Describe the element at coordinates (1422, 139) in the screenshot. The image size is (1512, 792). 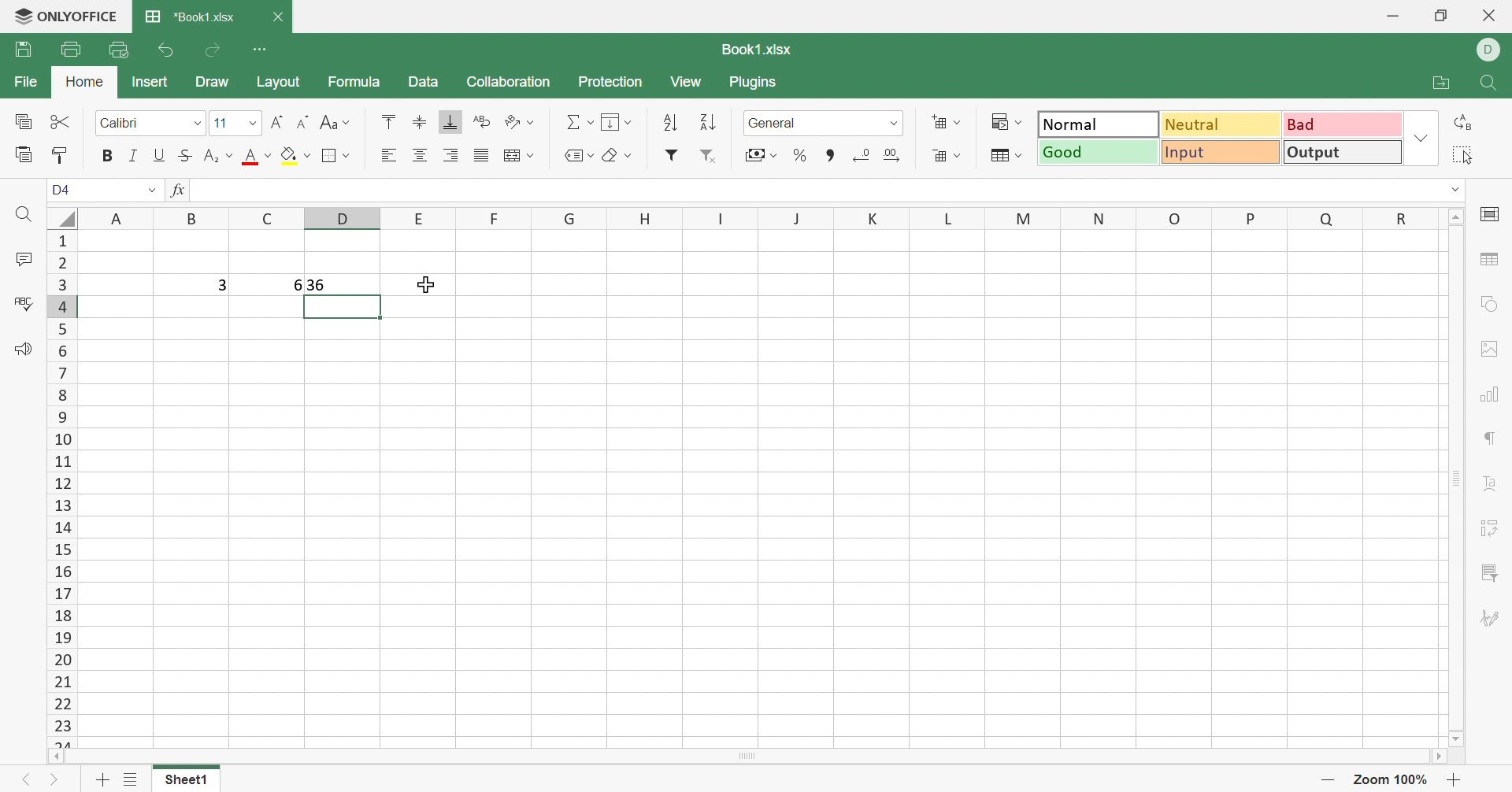
I see `Drop down` at that location.